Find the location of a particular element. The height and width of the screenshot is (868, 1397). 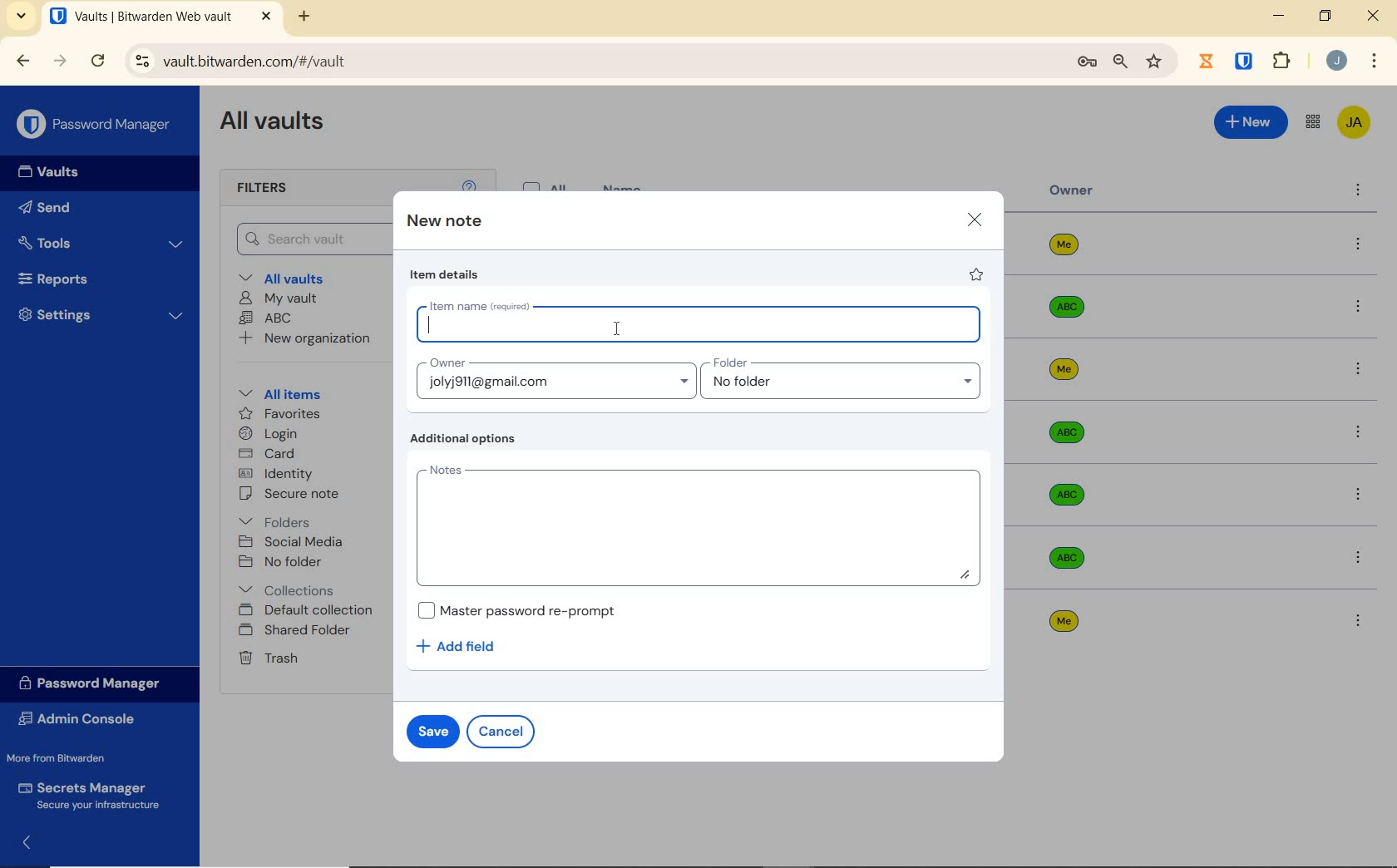

Master password re-prompt is located at coordinates (516, 610).